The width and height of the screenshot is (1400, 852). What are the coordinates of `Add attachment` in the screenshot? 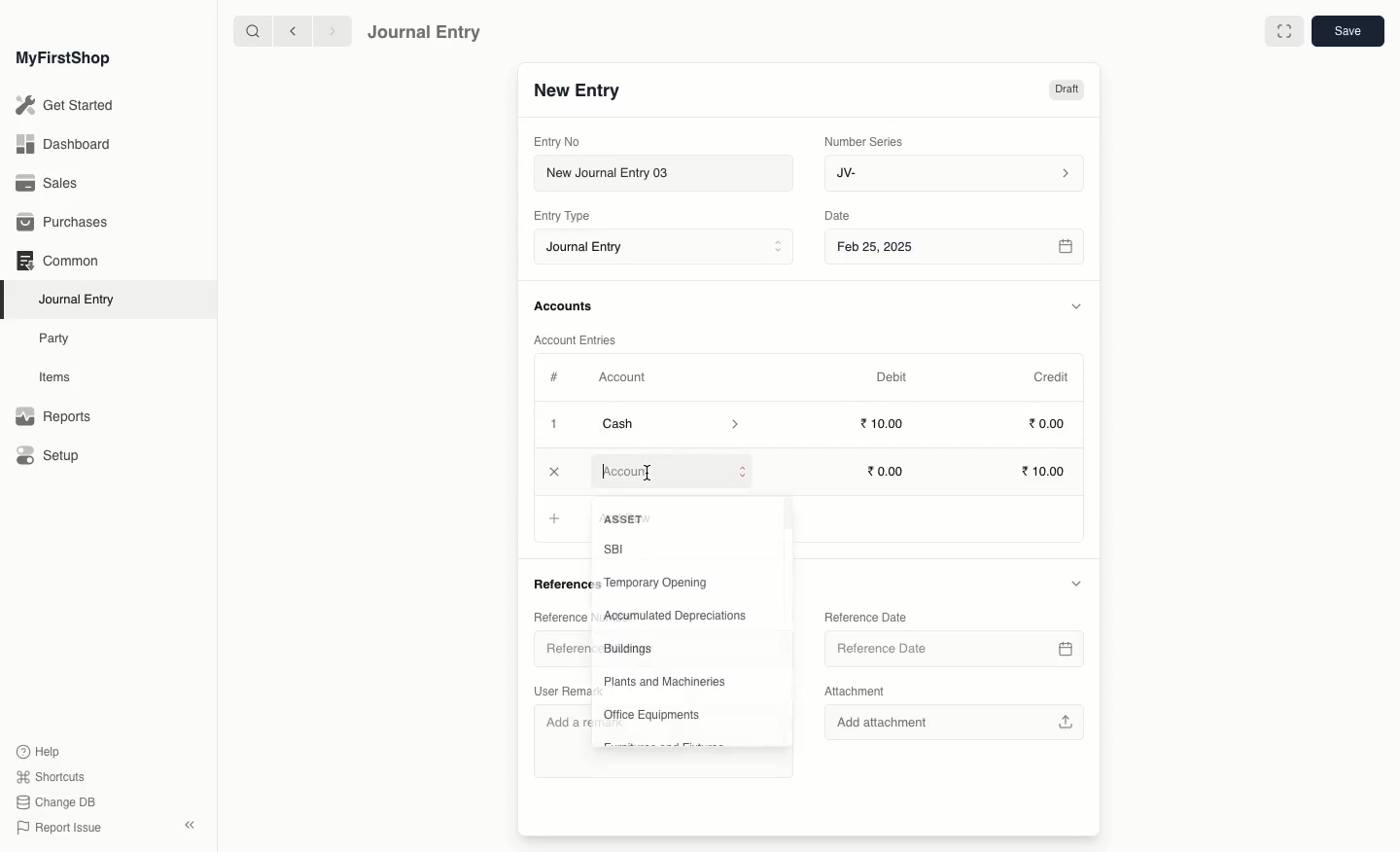 It's located at (952, 720).